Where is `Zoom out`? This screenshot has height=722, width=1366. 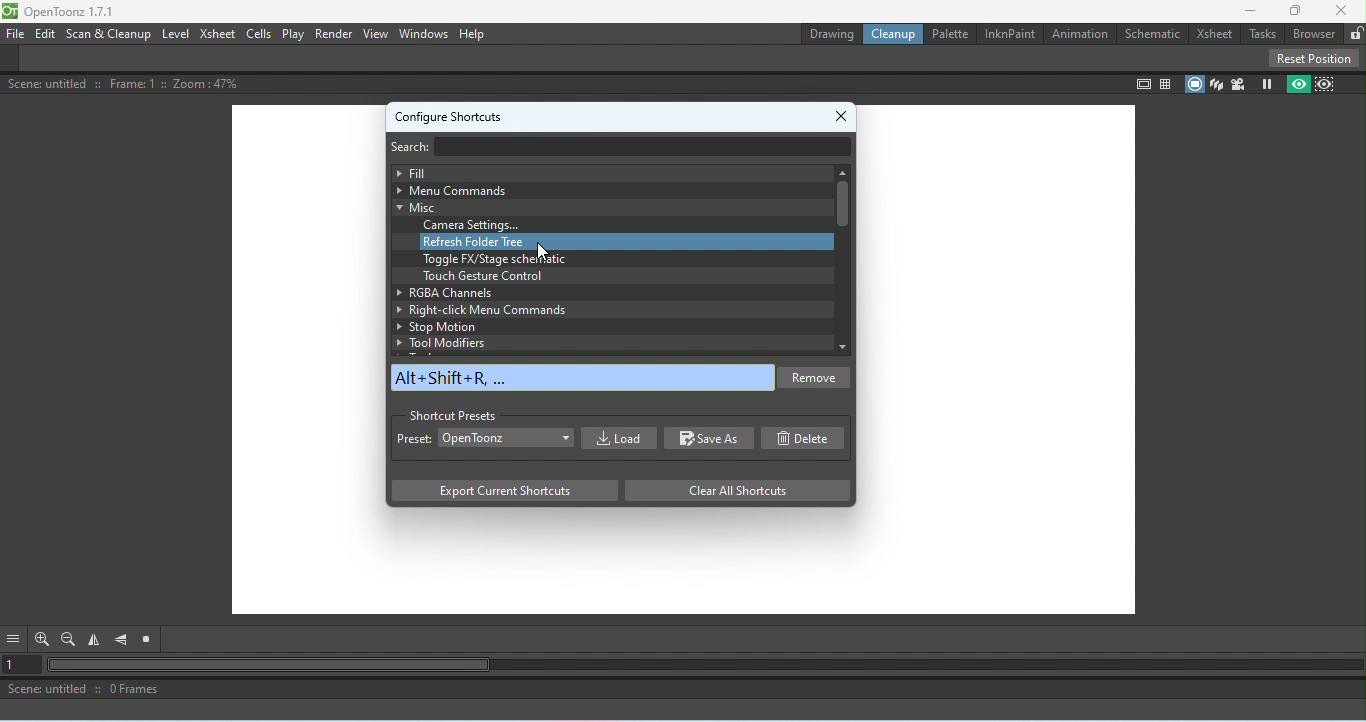
Zoom out is located at coordinates (68, 639).